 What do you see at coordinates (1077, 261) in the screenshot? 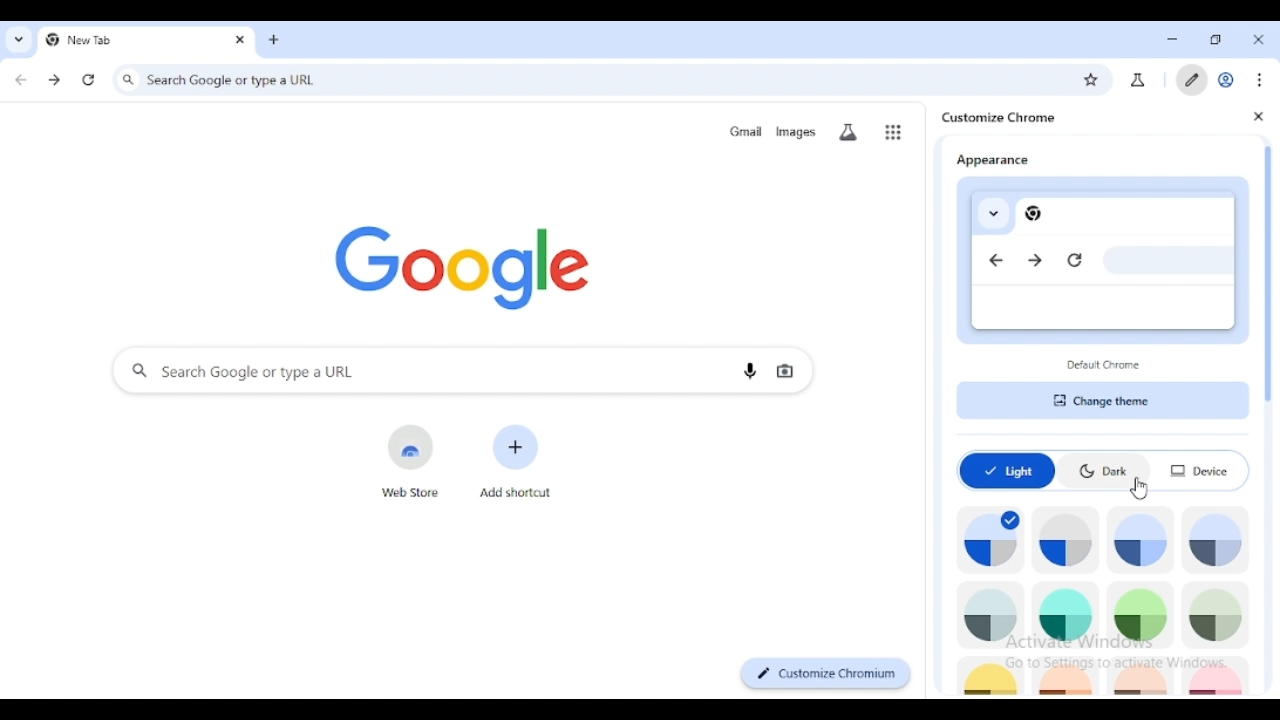
I see `reload` at bounding box center [1077, 261].